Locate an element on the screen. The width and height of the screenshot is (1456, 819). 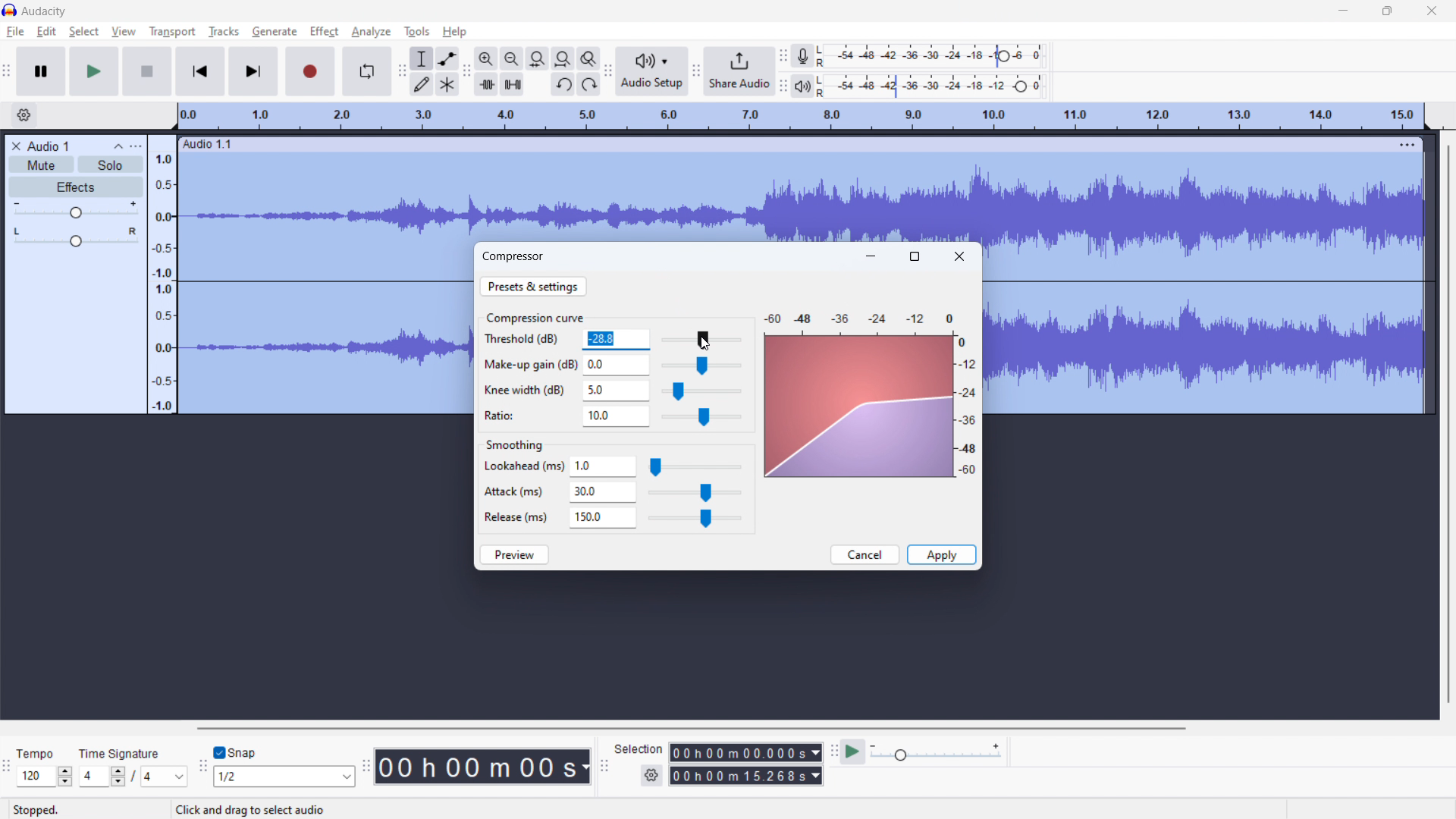
 is located at coordinates (401, 71).